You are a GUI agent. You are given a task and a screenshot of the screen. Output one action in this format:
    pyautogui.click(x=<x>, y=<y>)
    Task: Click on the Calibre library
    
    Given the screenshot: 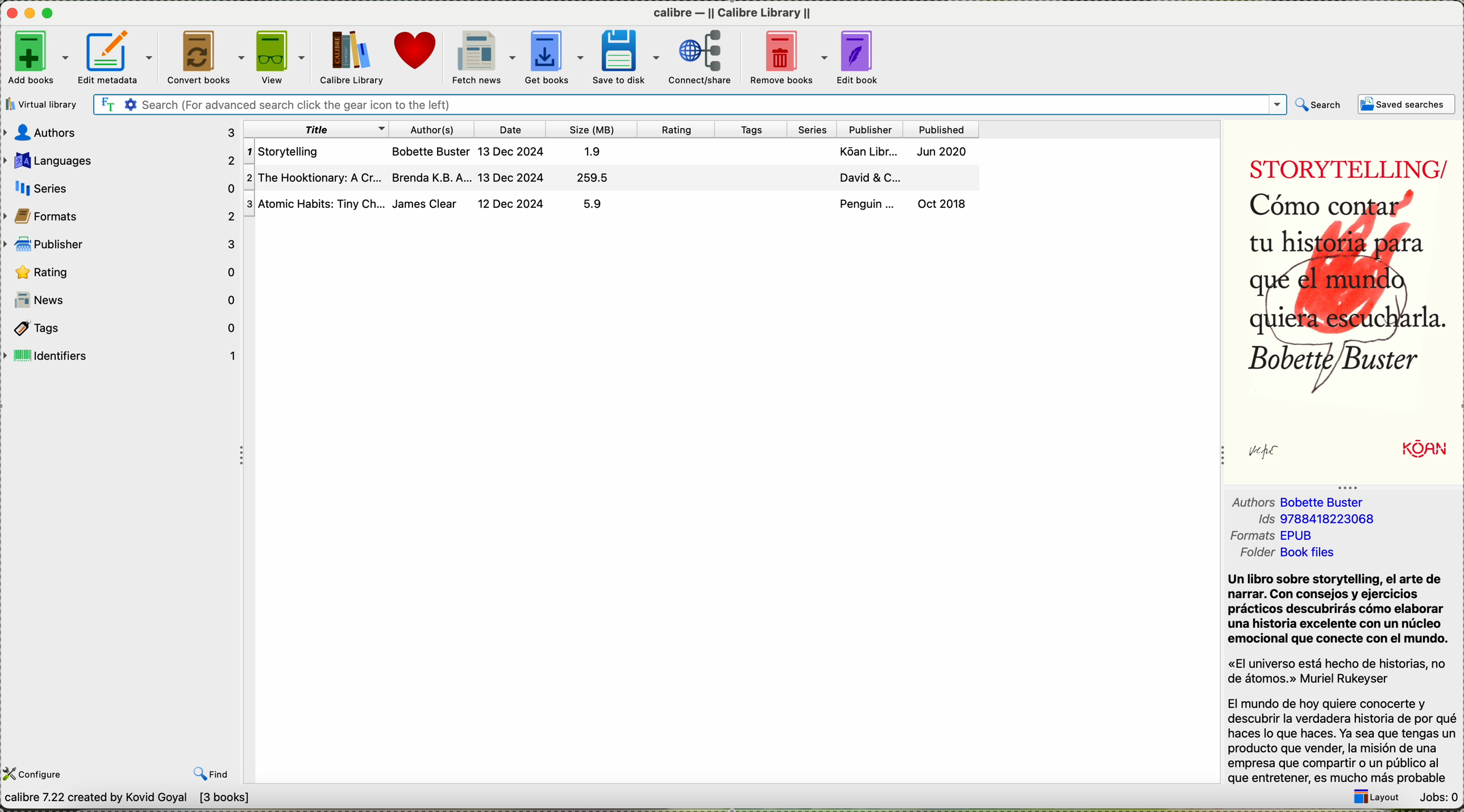 What is the action you would take?
    pyautogui.click(x=351, y=57)
    